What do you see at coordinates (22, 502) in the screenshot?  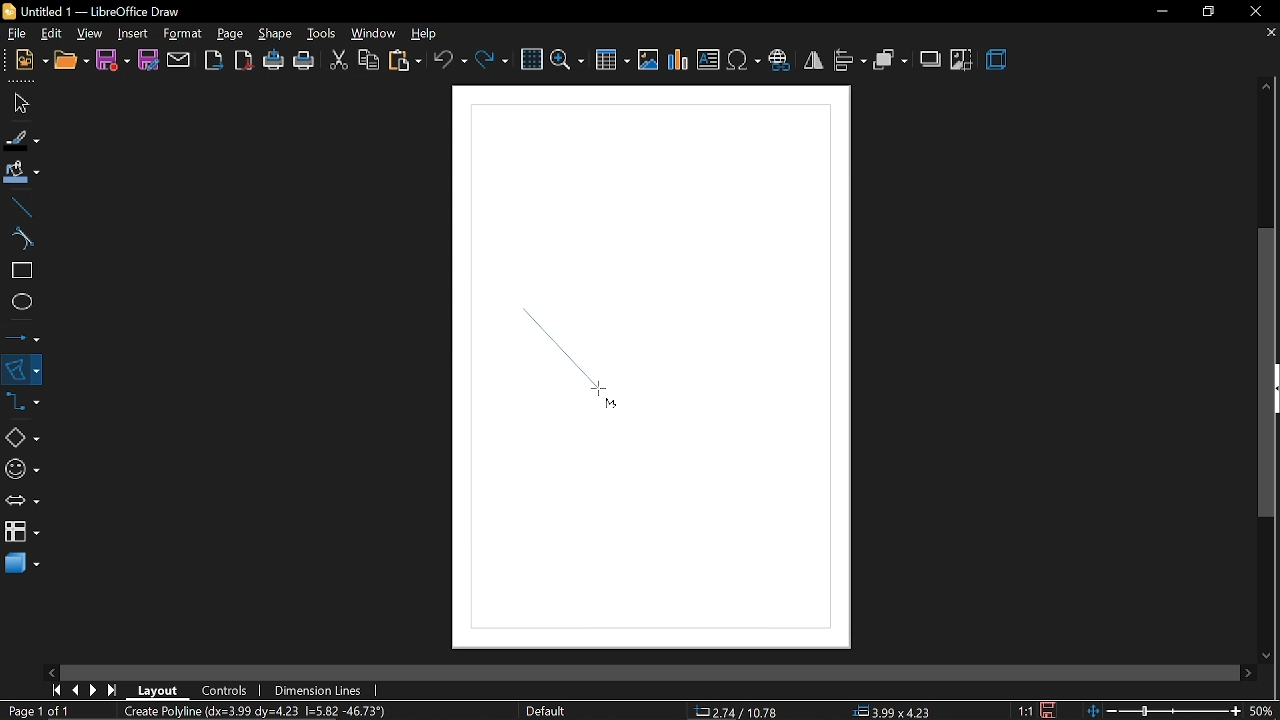 I see `arrows` at bounding box center [22, 502].